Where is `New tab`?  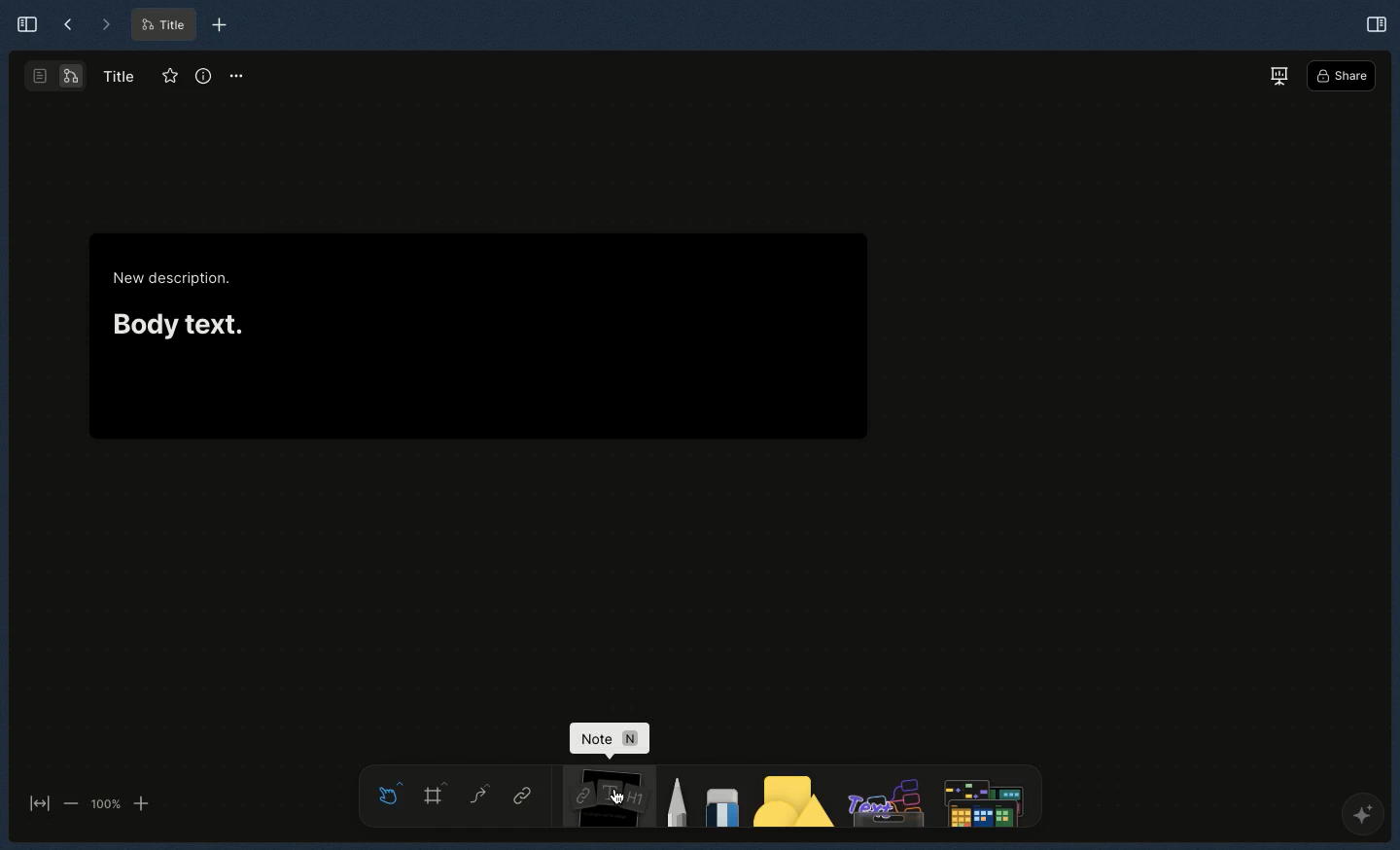
New tab is located at coordinates (220, 25).